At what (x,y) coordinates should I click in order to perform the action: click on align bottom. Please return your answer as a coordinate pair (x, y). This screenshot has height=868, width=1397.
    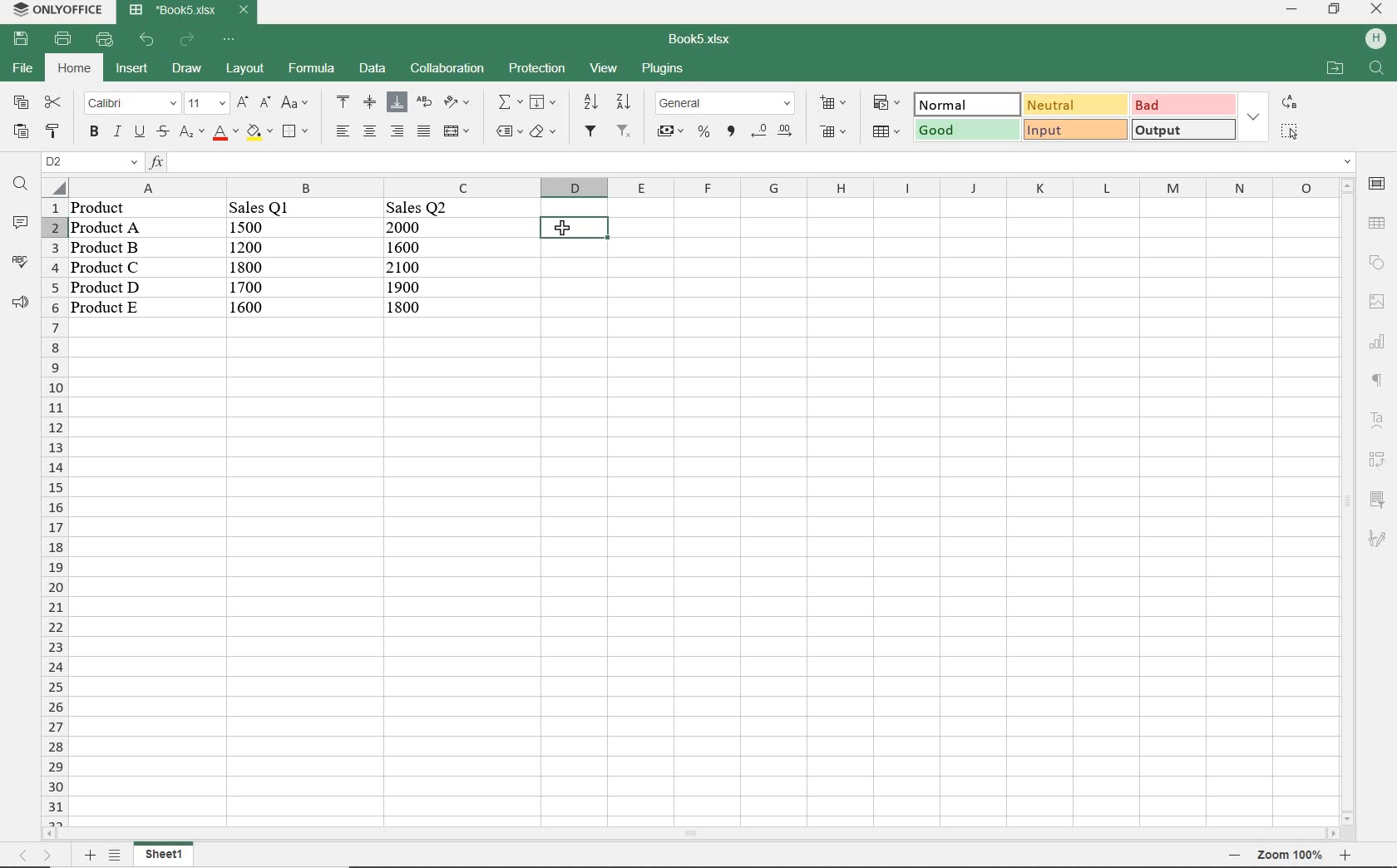
    Looking at the image, I should click on (397, 104).